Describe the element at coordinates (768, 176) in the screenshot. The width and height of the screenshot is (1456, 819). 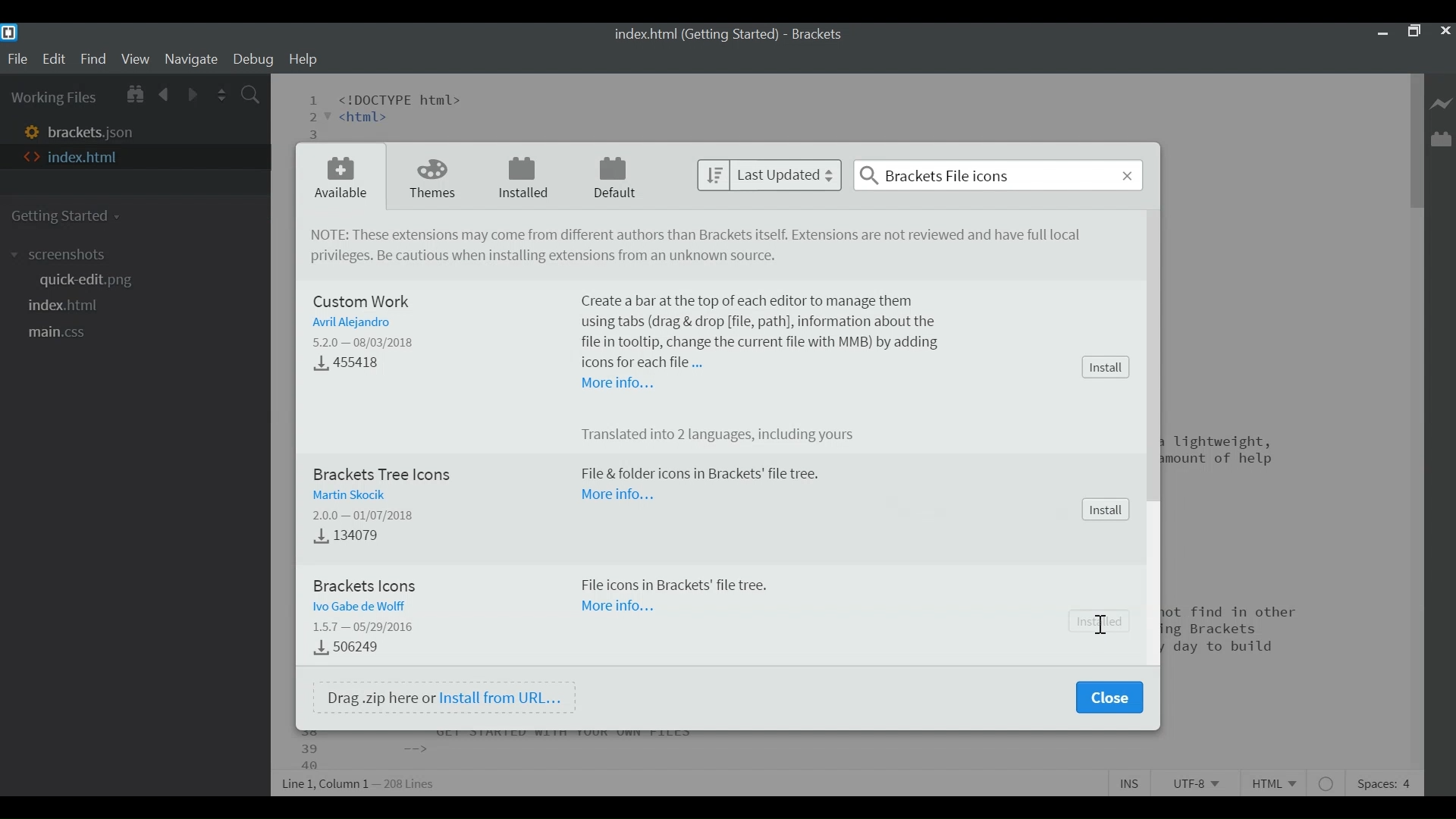
I see `Last Updated` at that location.